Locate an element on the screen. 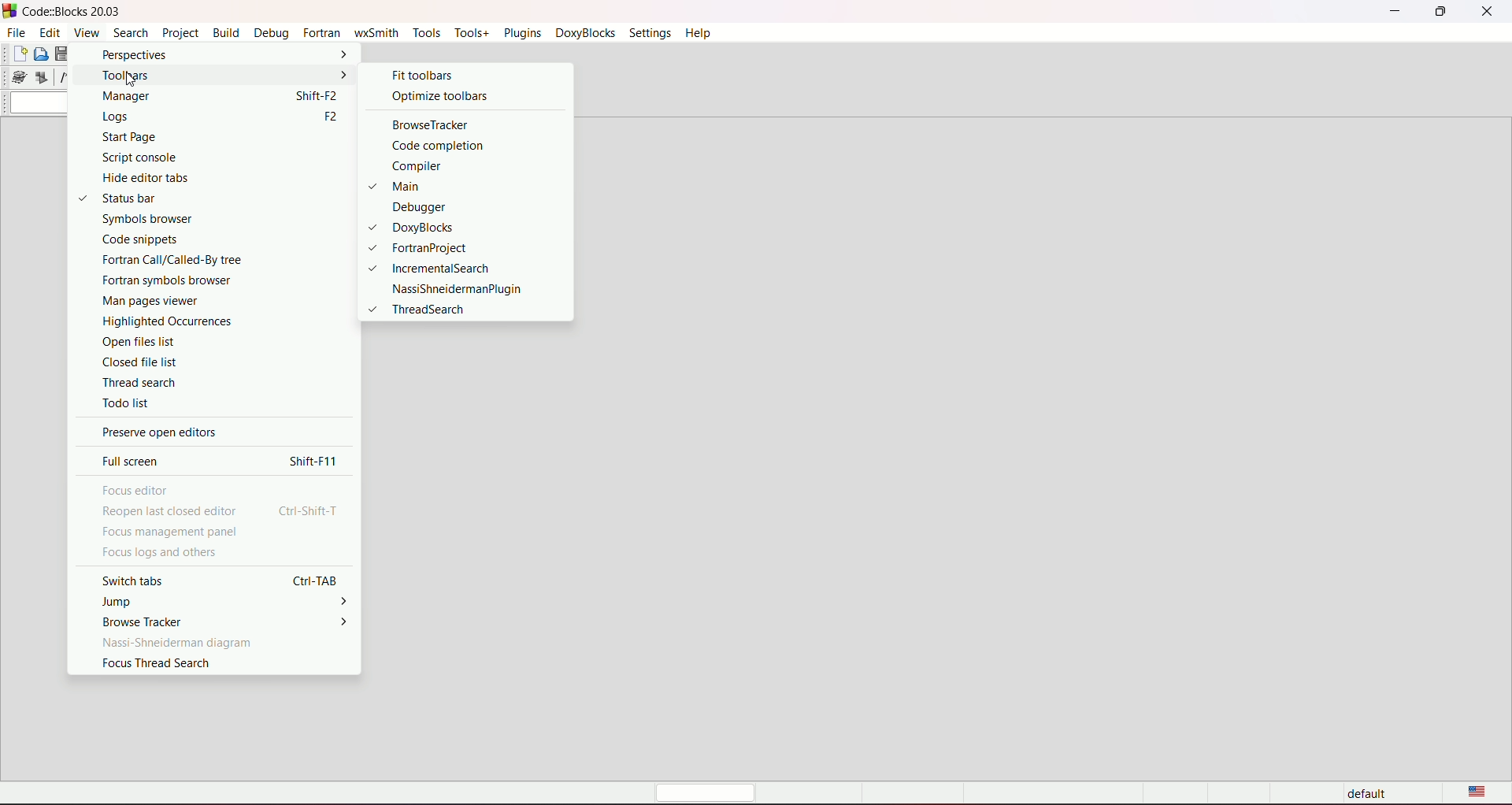  thread search is located at coordinates (209, 383).